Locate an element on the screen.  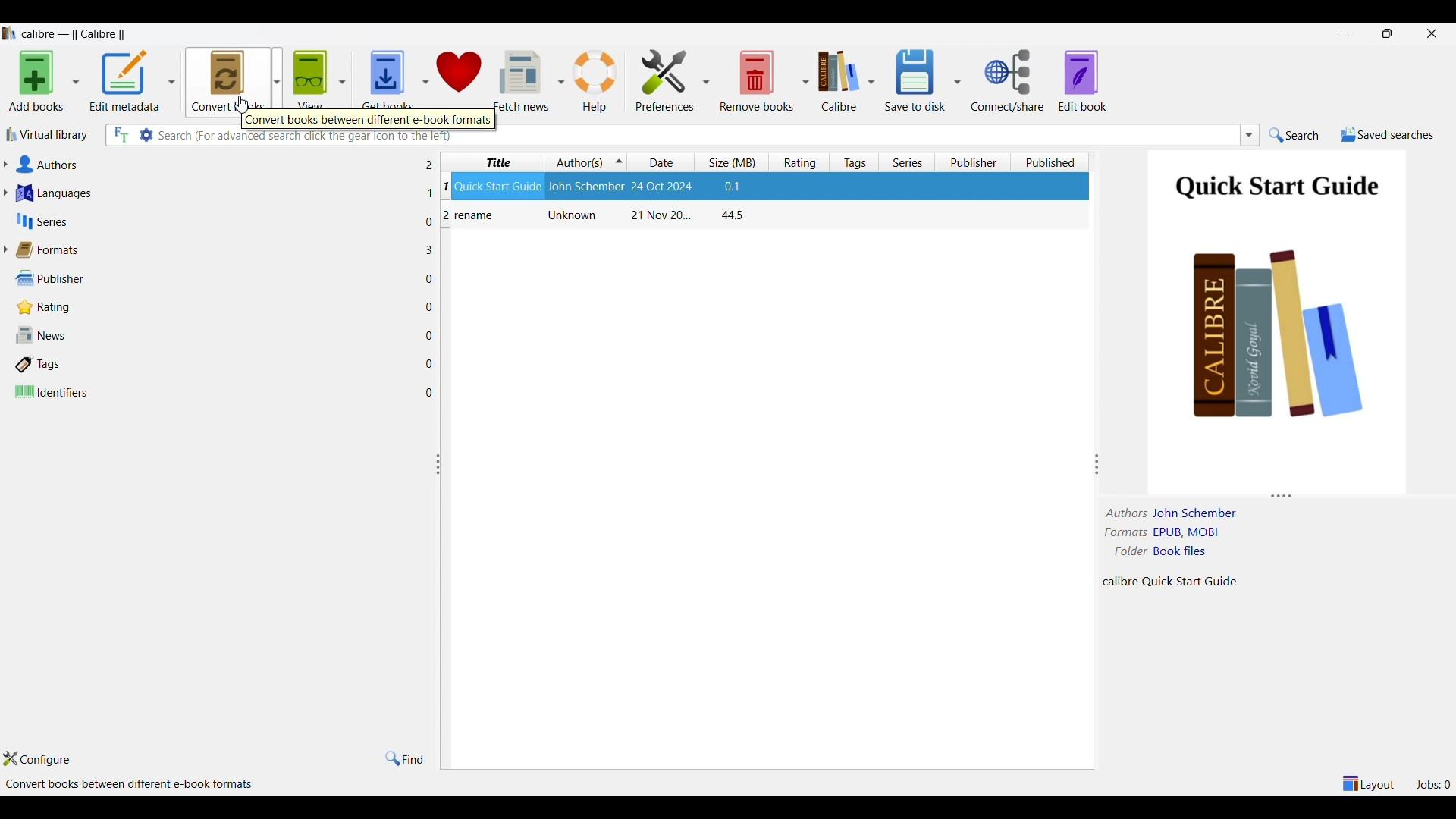
Calibre options is located at coordinates (871, 82).